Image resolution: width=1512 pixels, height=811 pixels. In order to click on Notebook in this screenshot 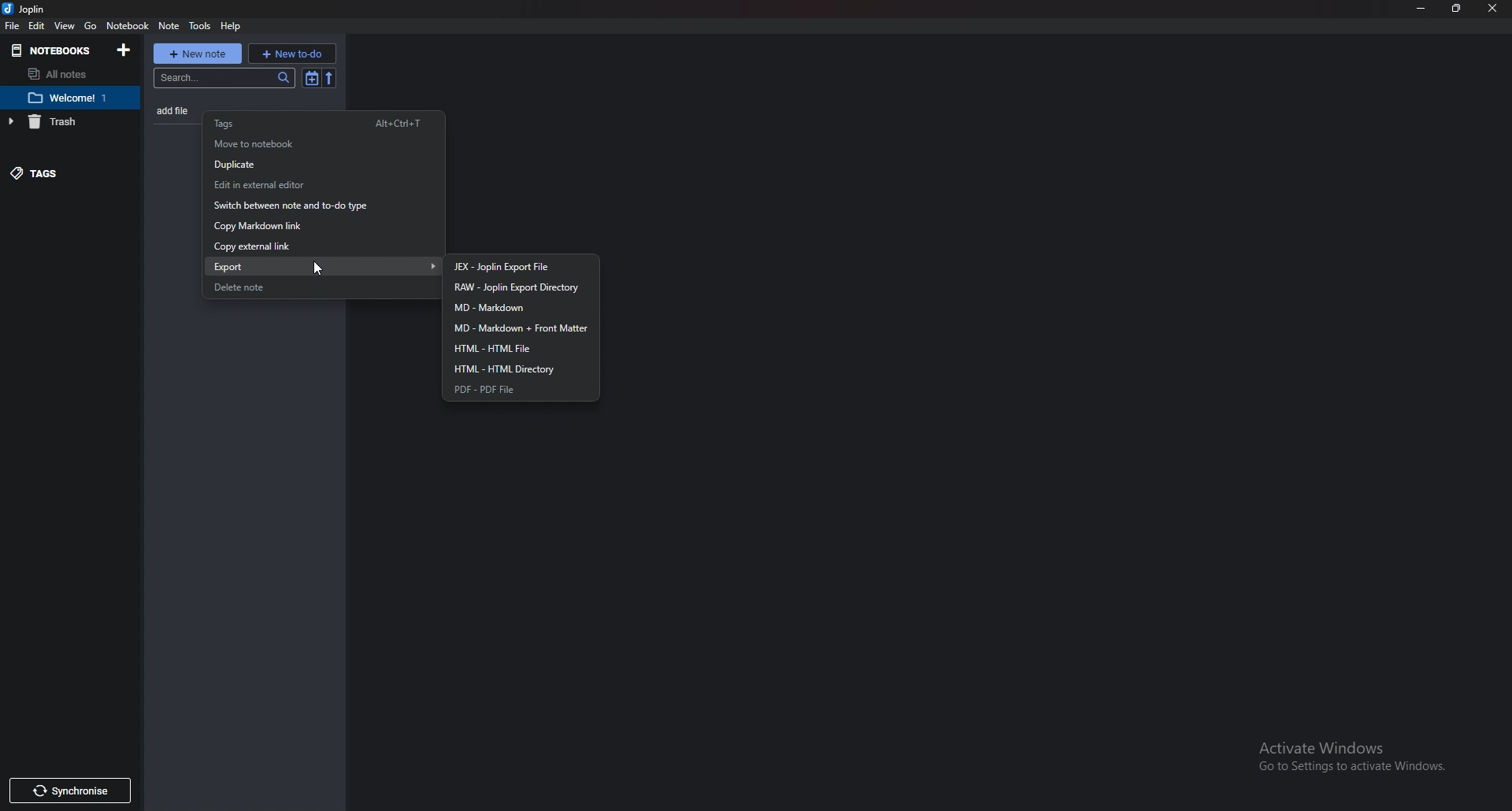, I will do `click(128, 25)`.